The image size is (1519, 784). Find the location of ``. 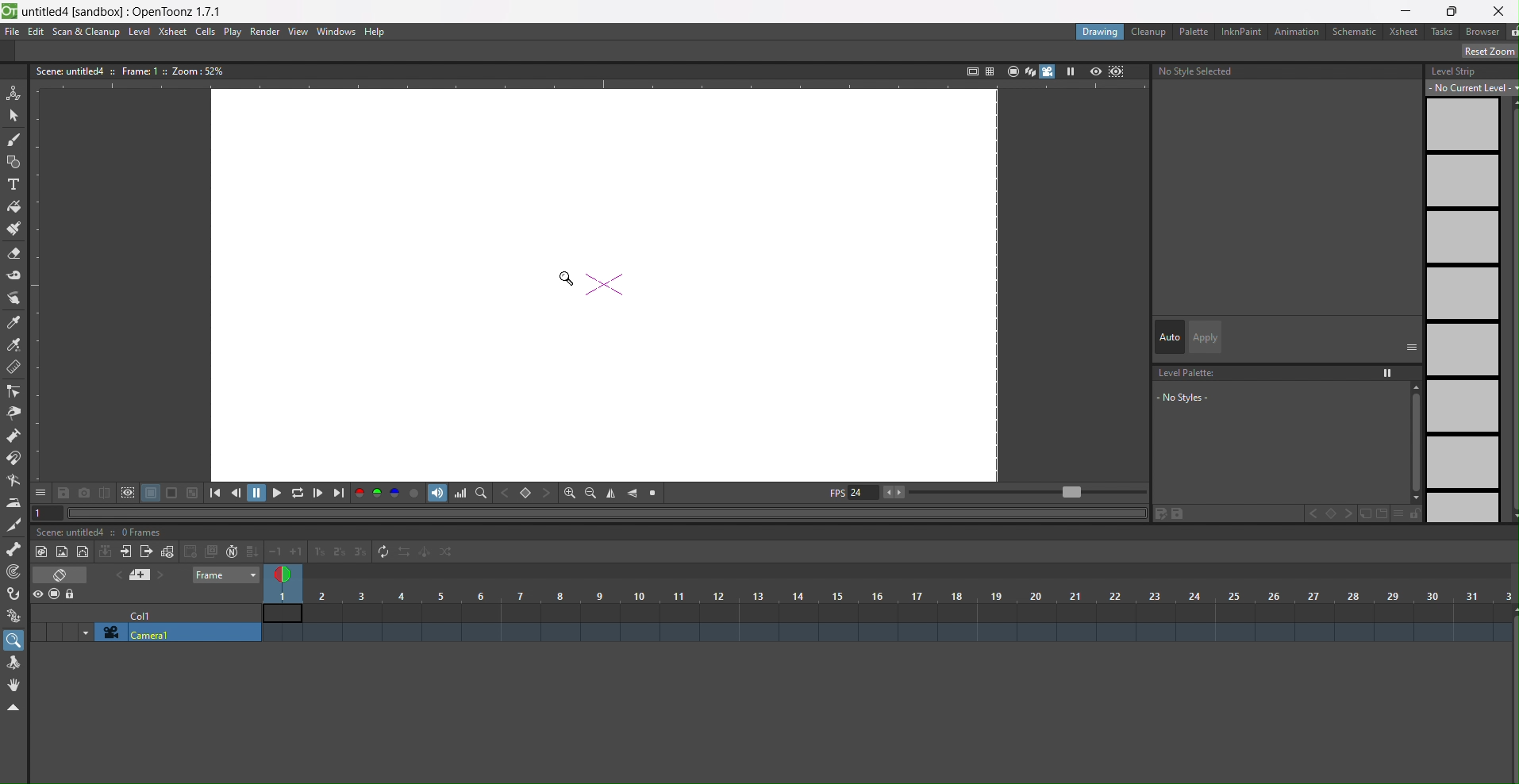

 is located at coordinates (232, 552).